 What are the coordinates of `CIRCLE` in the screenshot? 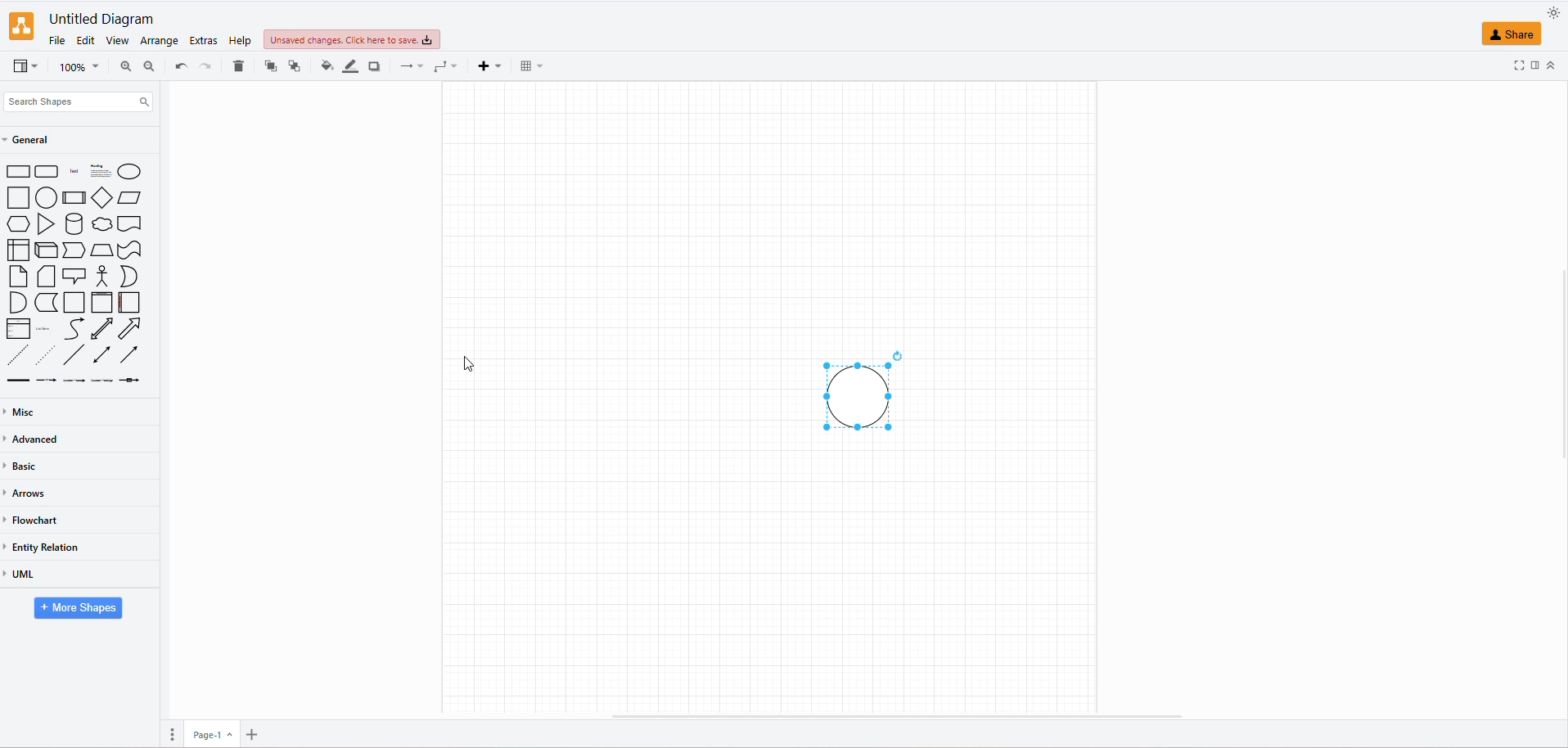 It's located at (131, 171).